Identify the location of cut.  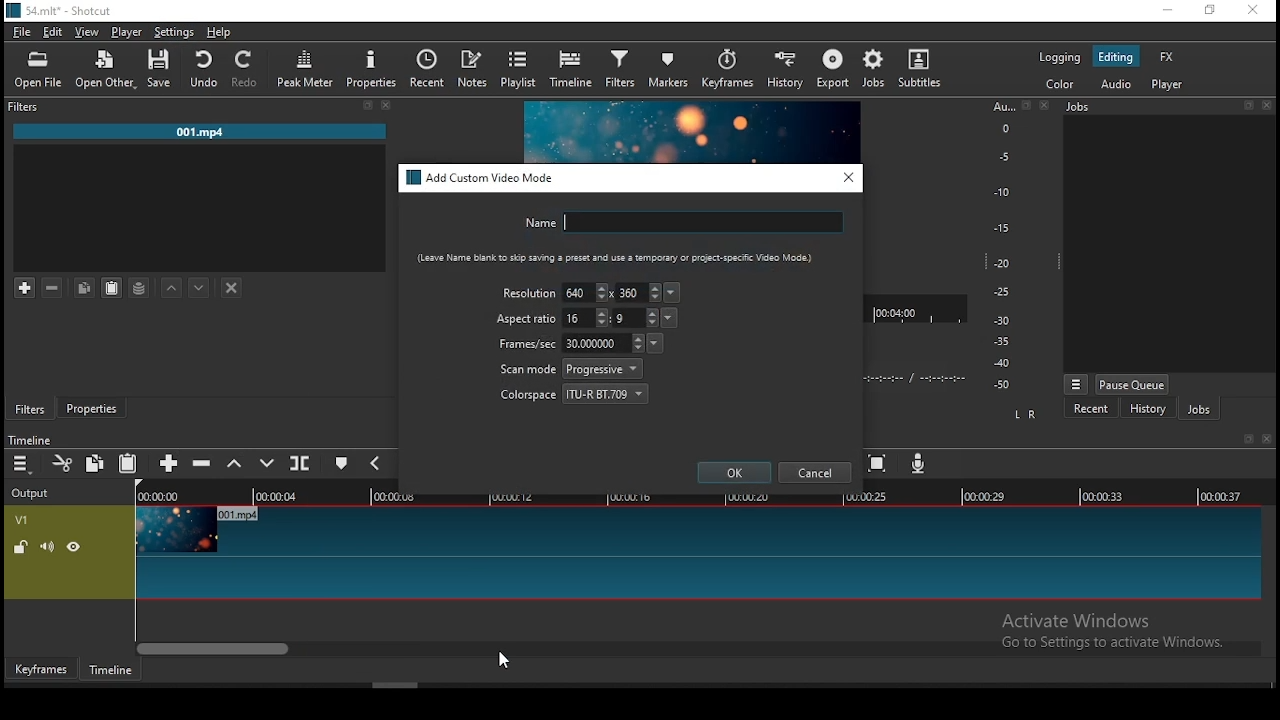
(63, 463).